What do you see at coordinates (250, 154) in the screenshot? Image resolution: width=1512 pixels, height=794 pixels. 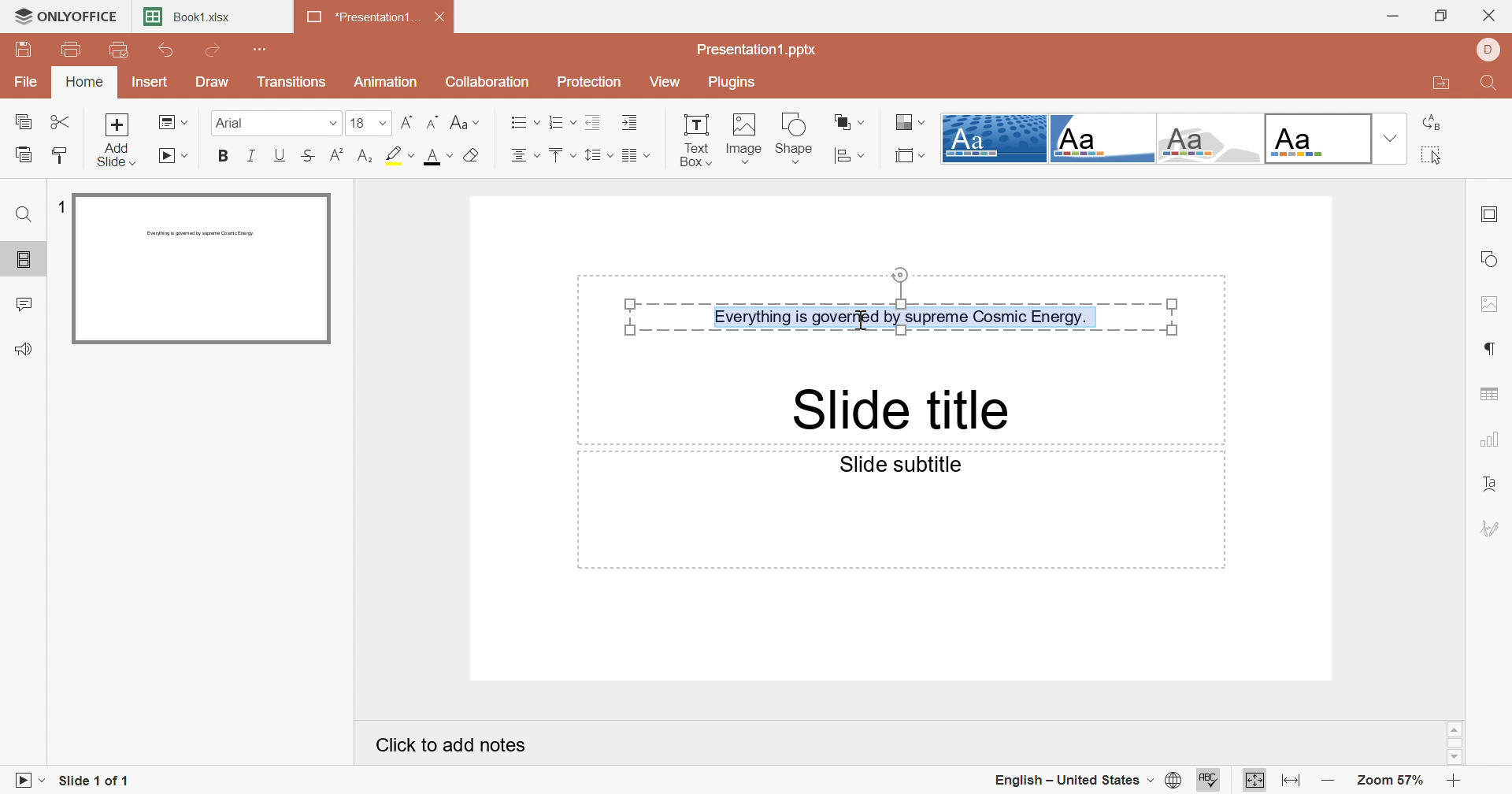 I see `Italic` at bounding box center [250, 154].